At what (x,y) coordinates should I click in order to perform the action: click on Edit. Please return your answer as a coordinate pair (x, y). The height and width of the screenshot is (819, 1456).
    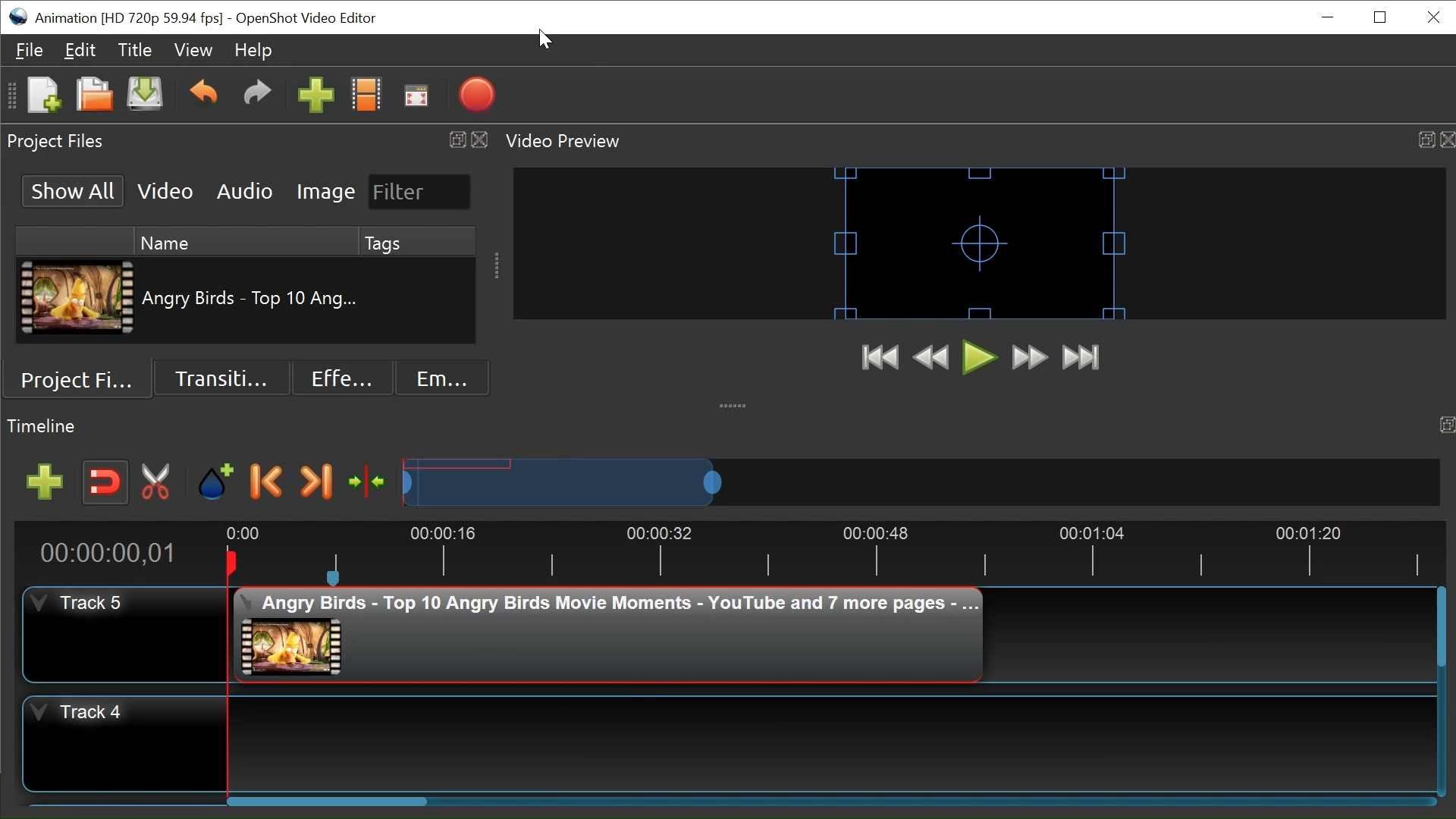
    Looking at the image, I should click on (80, 50).